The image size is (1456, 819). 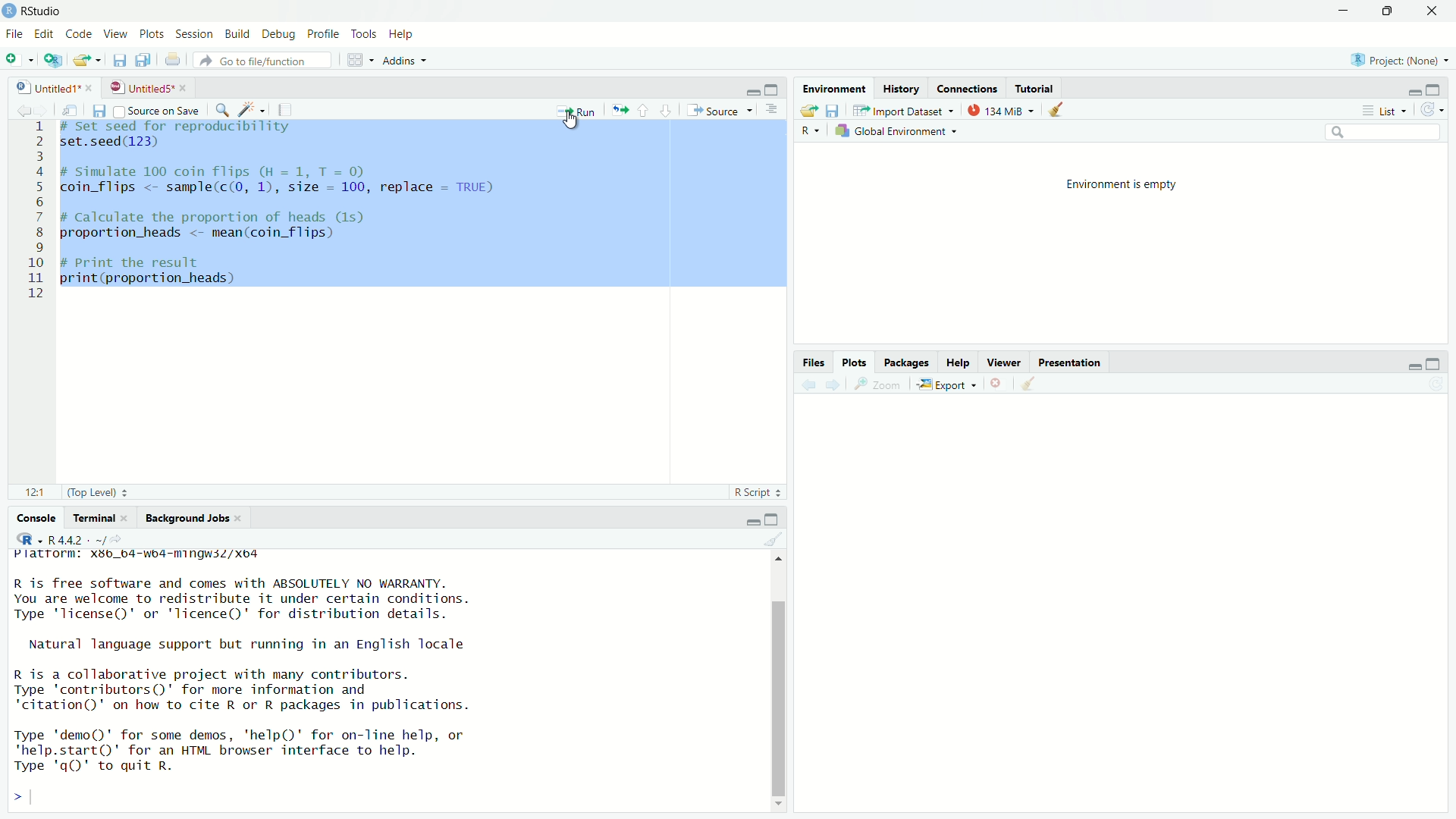 I want to click on R is free software and comes with ABSOLUTELY NO WARRANTY.
You are welcome to redistribute it under certain conditions.
Type 'license()' or 'licence()' for distribution details., so click(x=313, y=600).